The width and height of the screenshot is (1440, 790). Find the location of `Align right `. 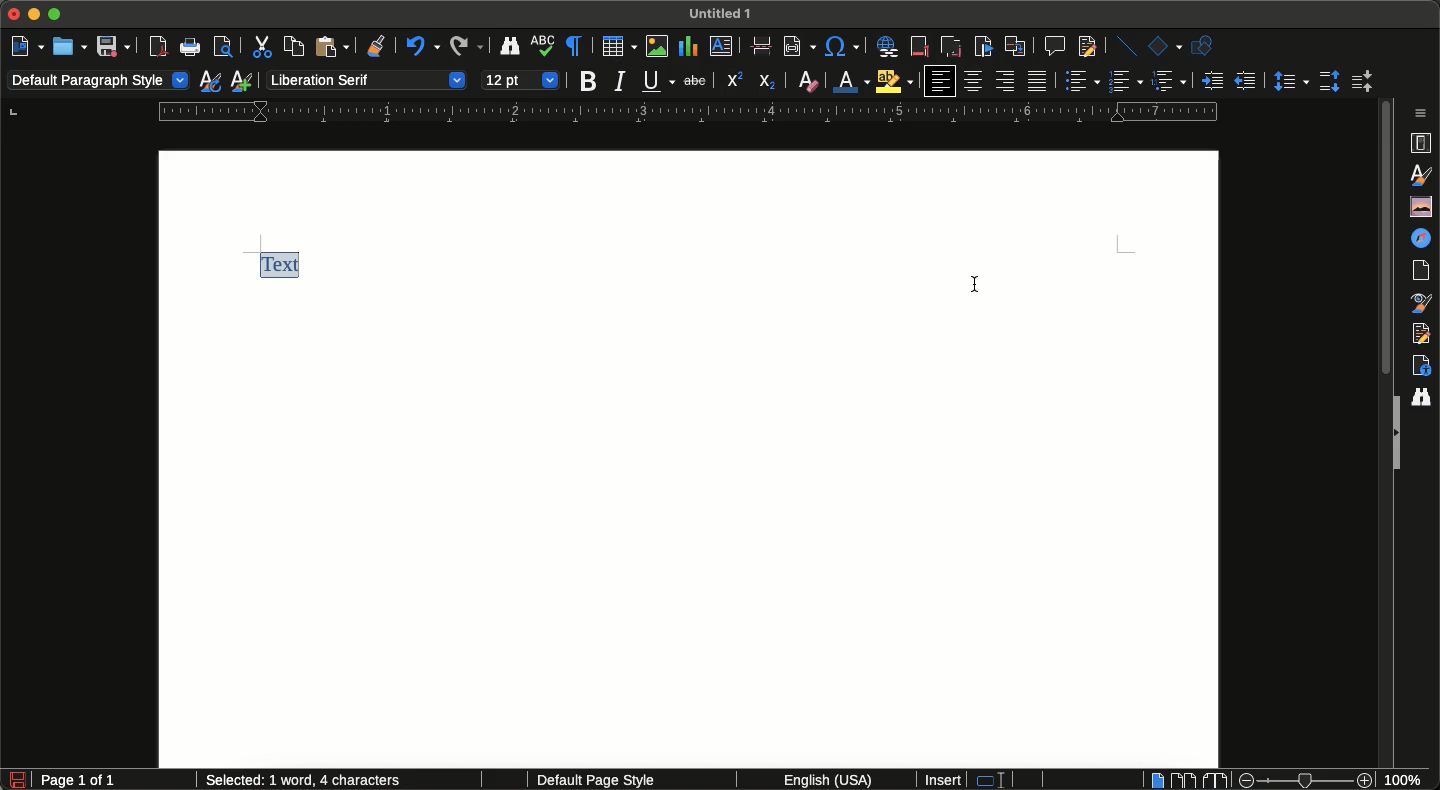

Align right  is located at coordinates (1005, 82).